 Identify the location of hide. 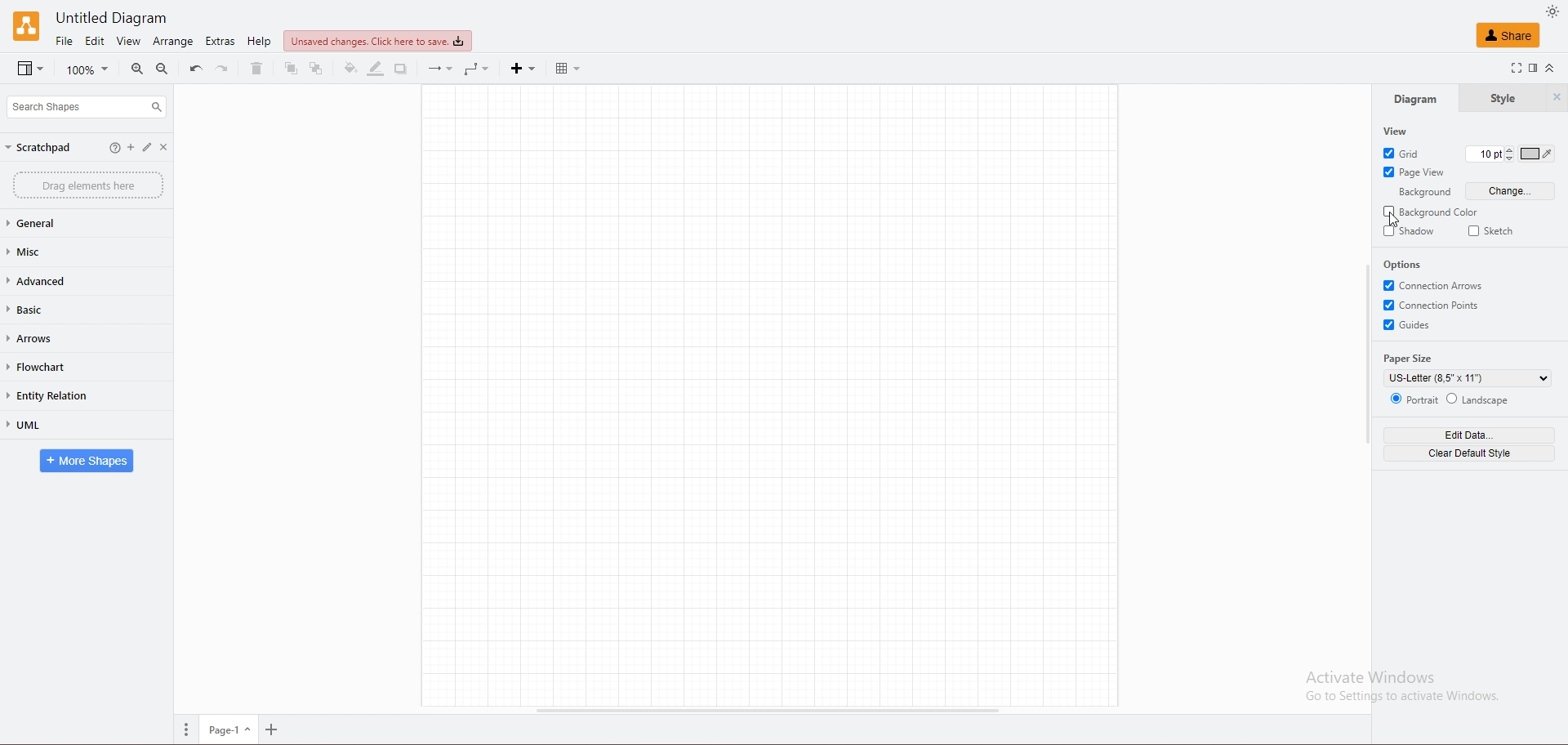
(1557, 98).